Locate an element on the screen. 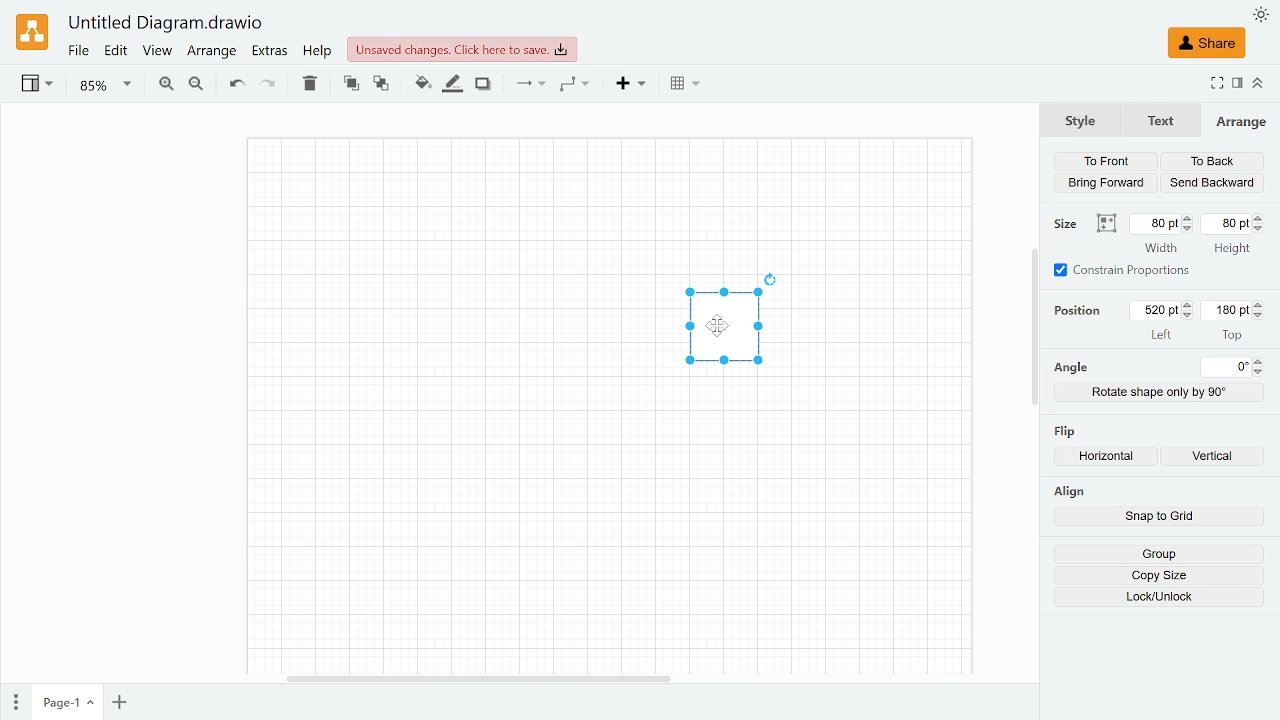 This screenshot has height=720, width=1280. Text is located at coordinates (1157, 121).